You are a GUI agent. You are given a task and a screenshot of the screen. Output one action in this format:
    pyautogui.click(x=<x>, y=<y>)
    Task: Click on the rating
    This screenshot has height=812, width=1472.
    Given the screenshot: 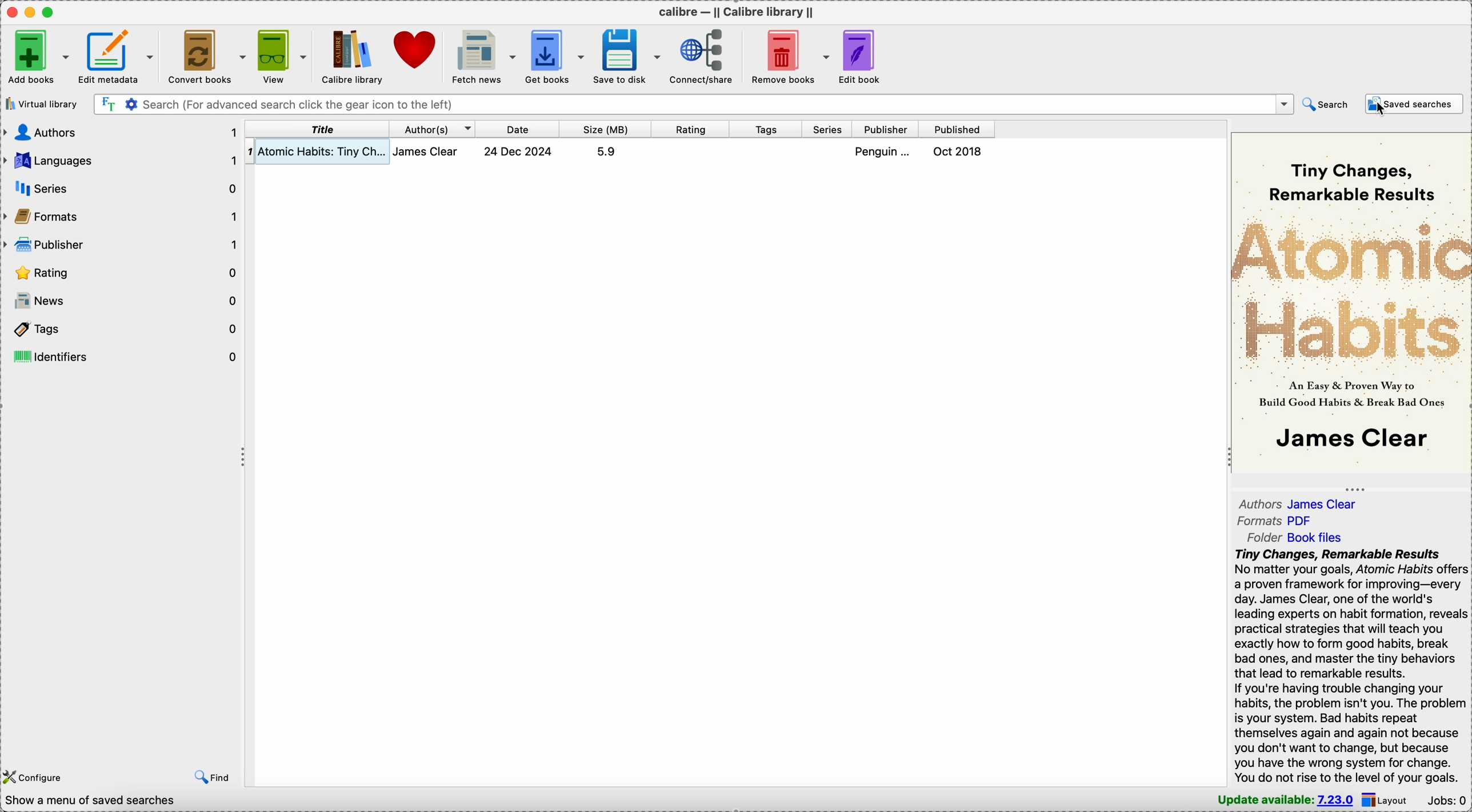 What is the action you would take?
    pyautogui.click(x=122, y=274)
    